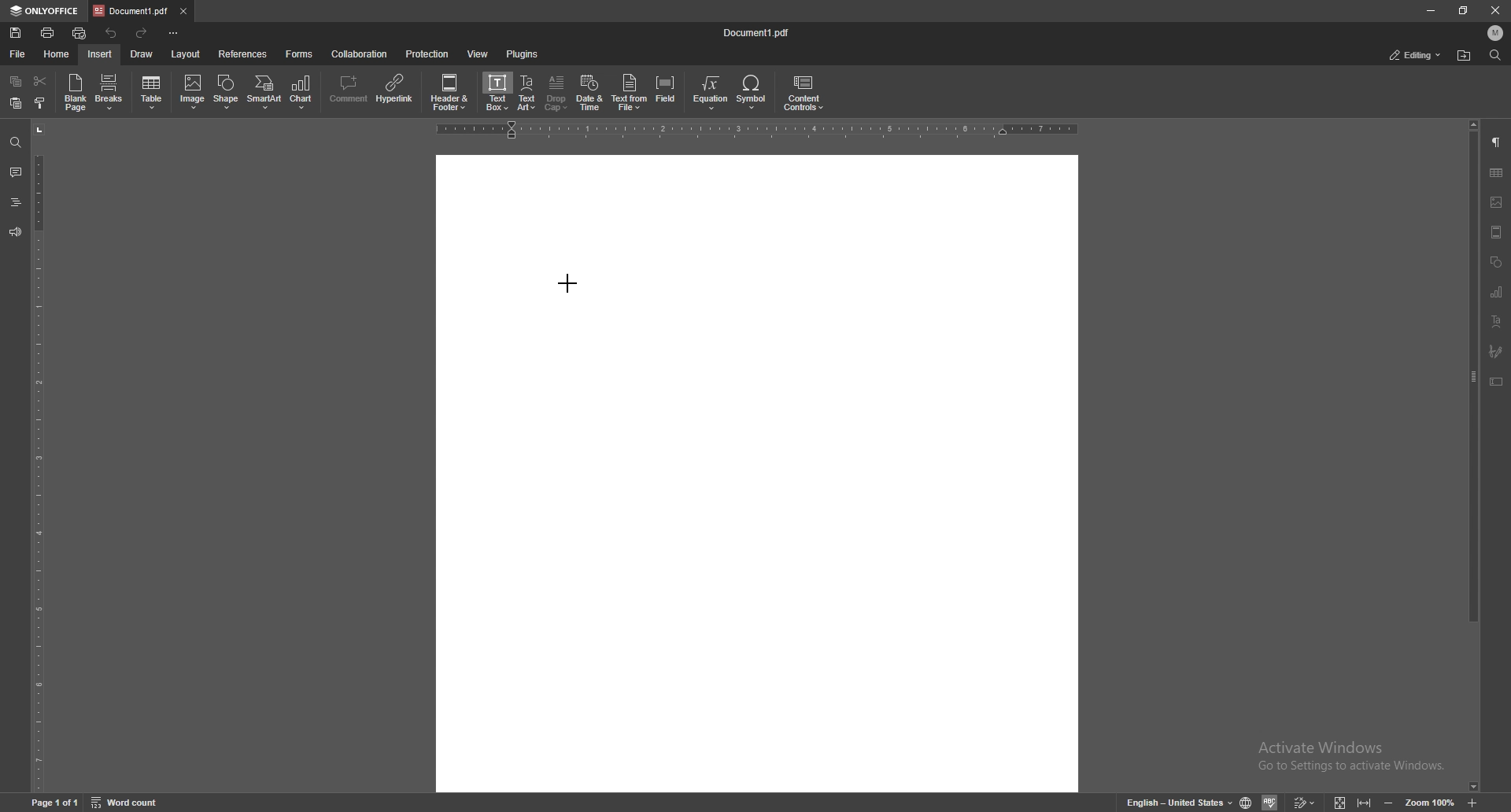 The image size is (1511, 812). What do you see at coordinates (711, 93) in the screenshot?
I see `equation` at bounding box center [711, 93].